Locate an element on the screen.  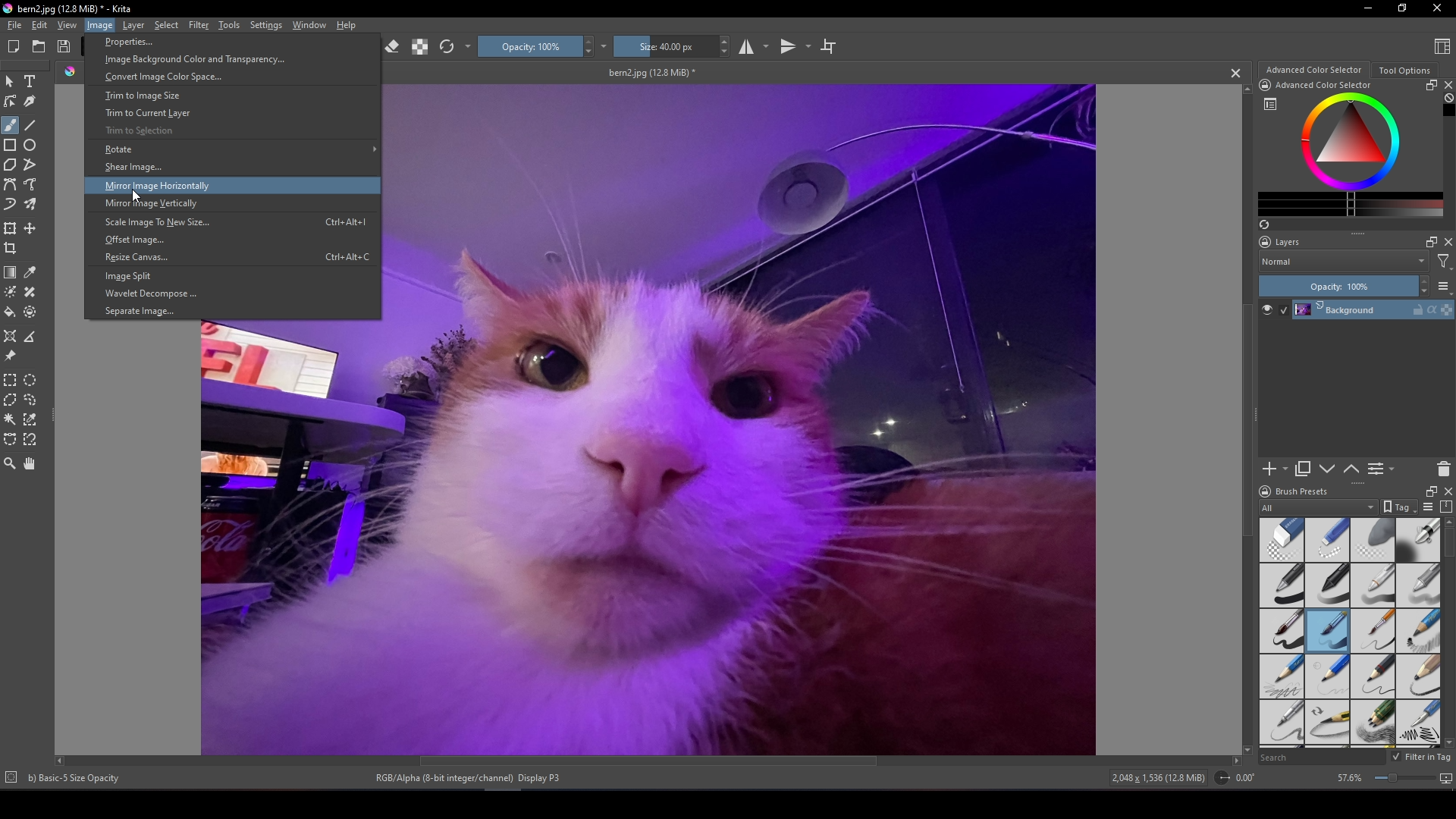
Left panel slider is located at coordinates (1257, 413).